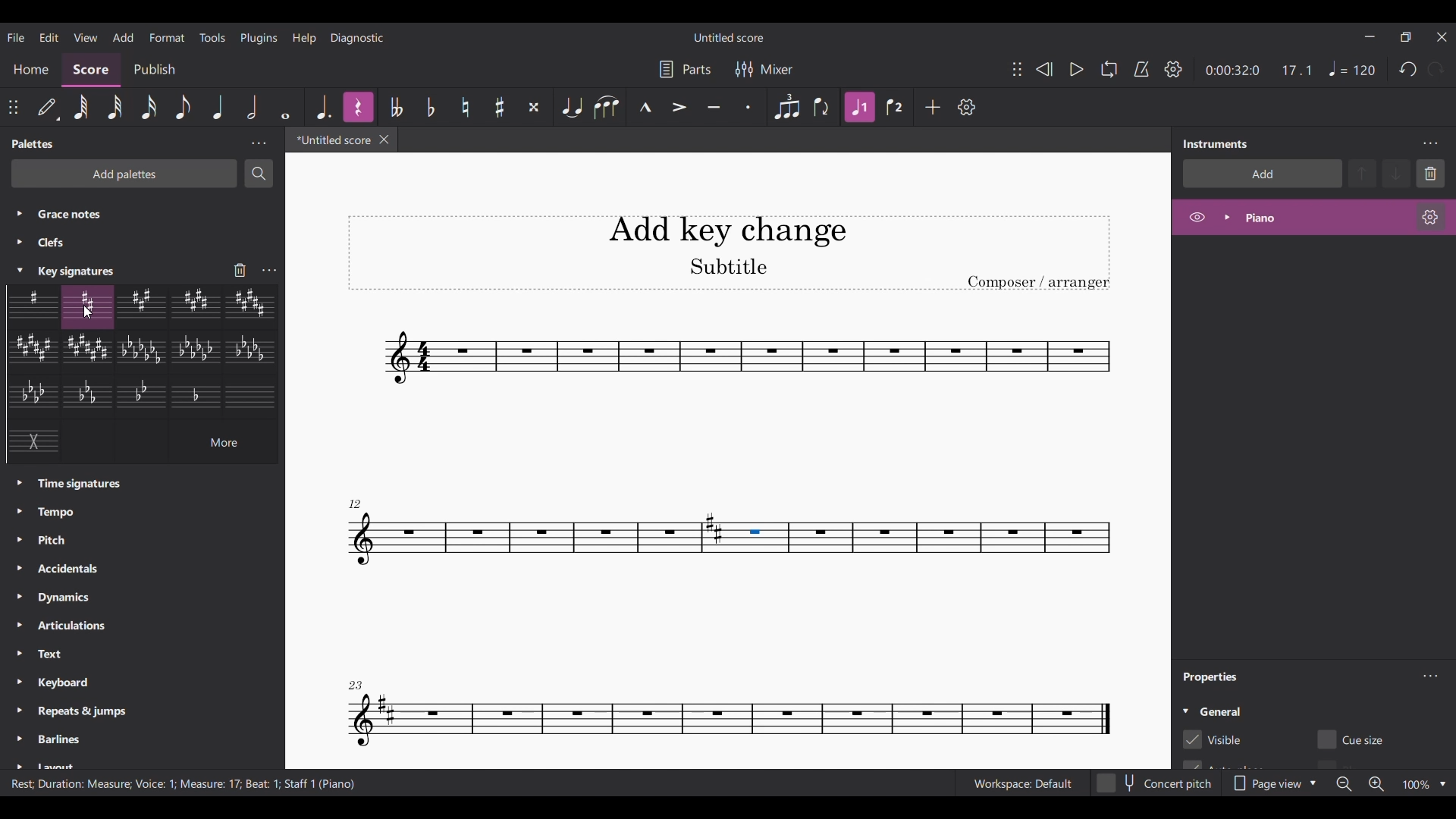  I want to click on Add instrument, so click(1263, 174).